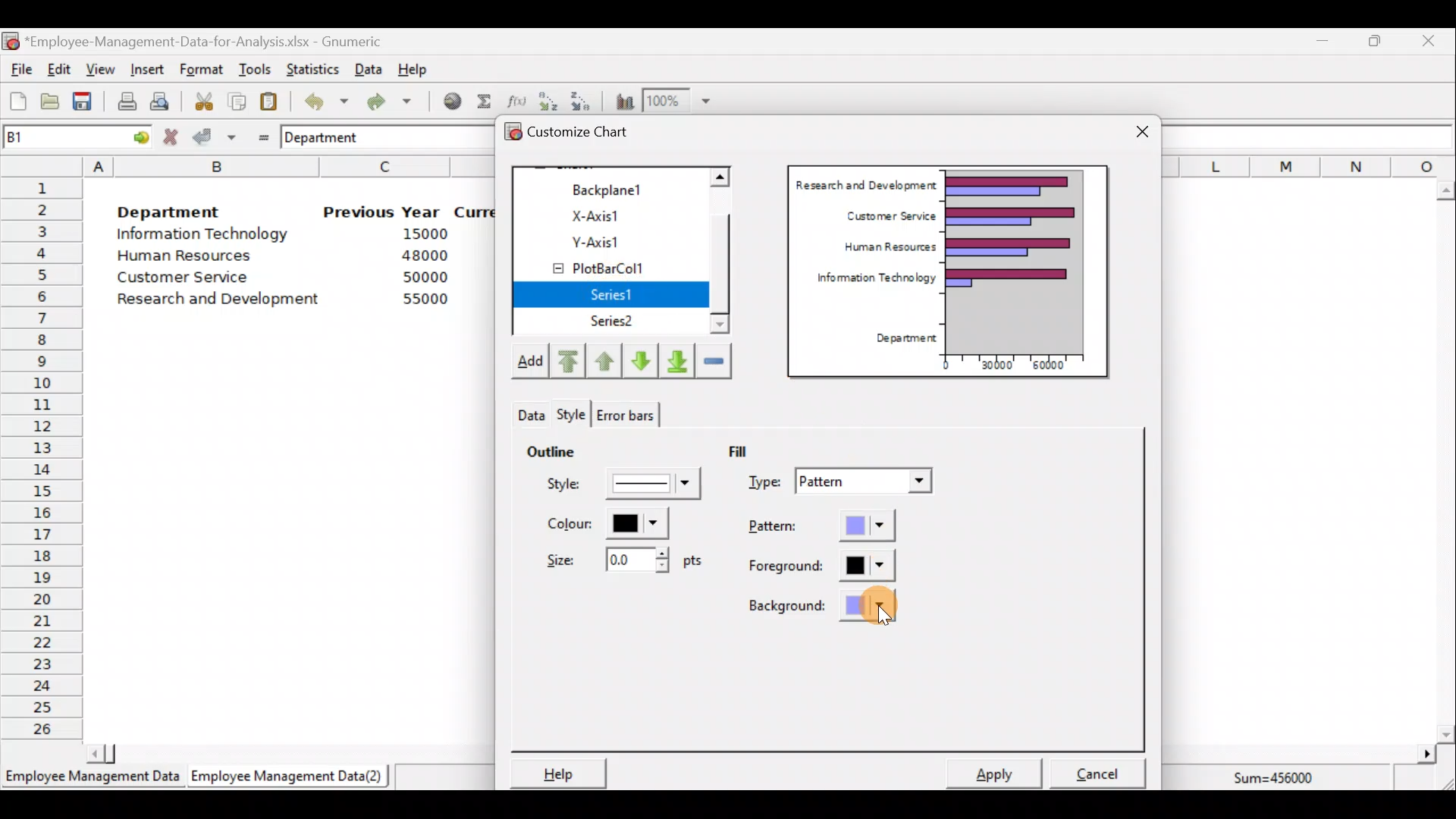 The image size is (1456, 819). I want to click on Size, so click(620, 558).